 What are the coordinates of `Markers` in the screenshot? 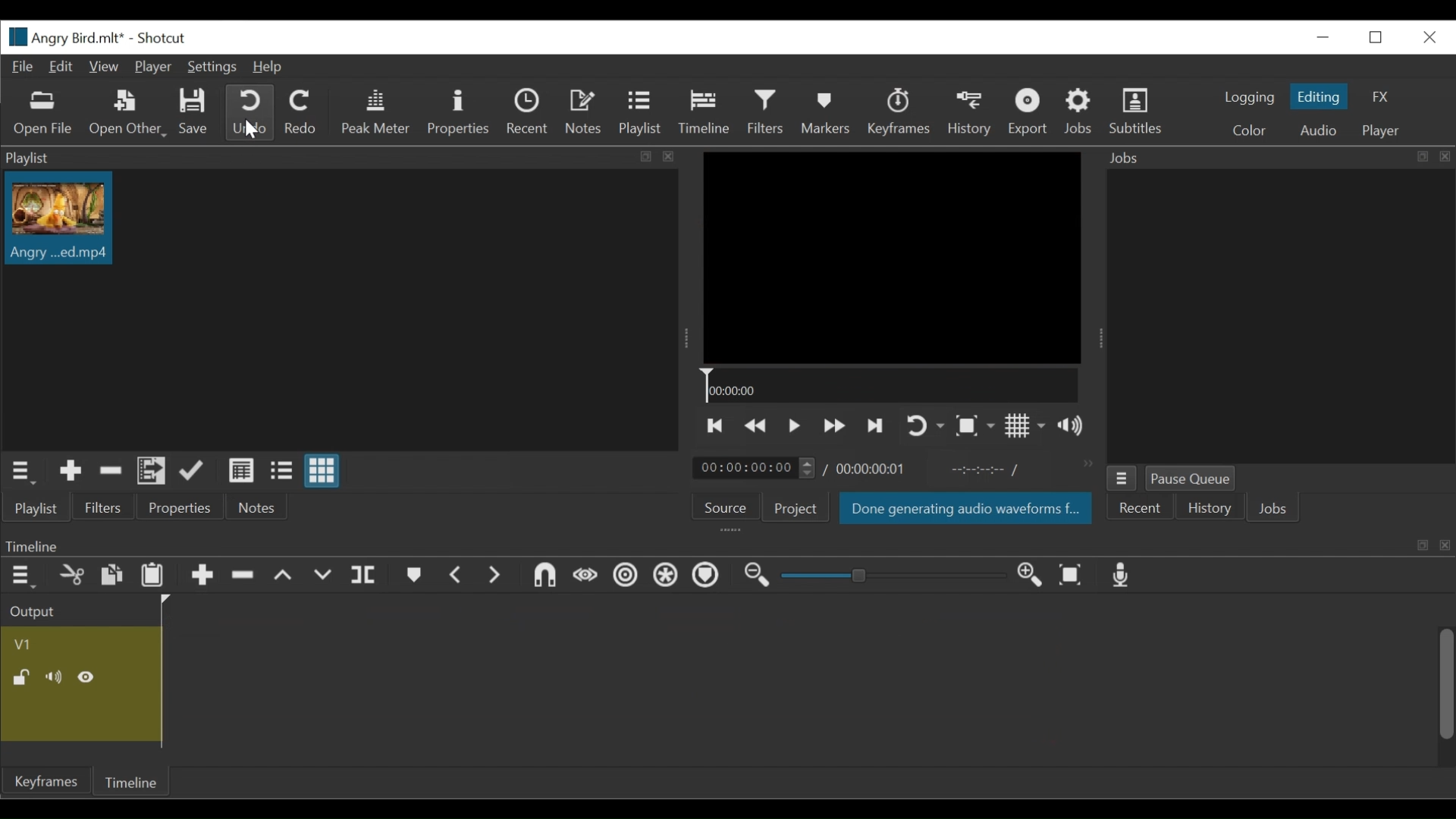 It's located at (826, 110).